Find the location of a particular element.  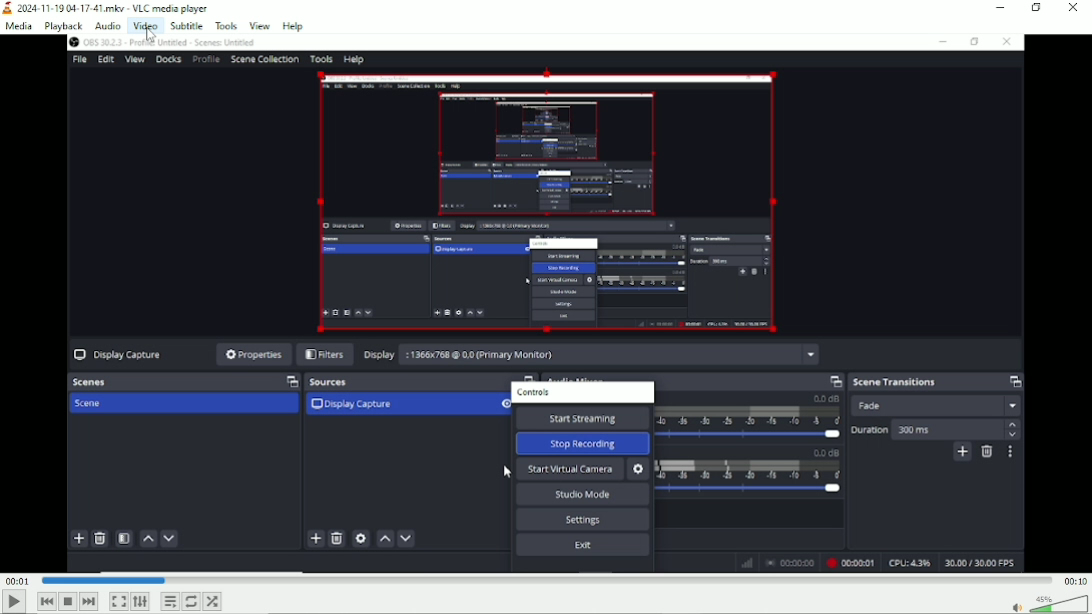

Toggle playlist is located at coordinates (170, 601).